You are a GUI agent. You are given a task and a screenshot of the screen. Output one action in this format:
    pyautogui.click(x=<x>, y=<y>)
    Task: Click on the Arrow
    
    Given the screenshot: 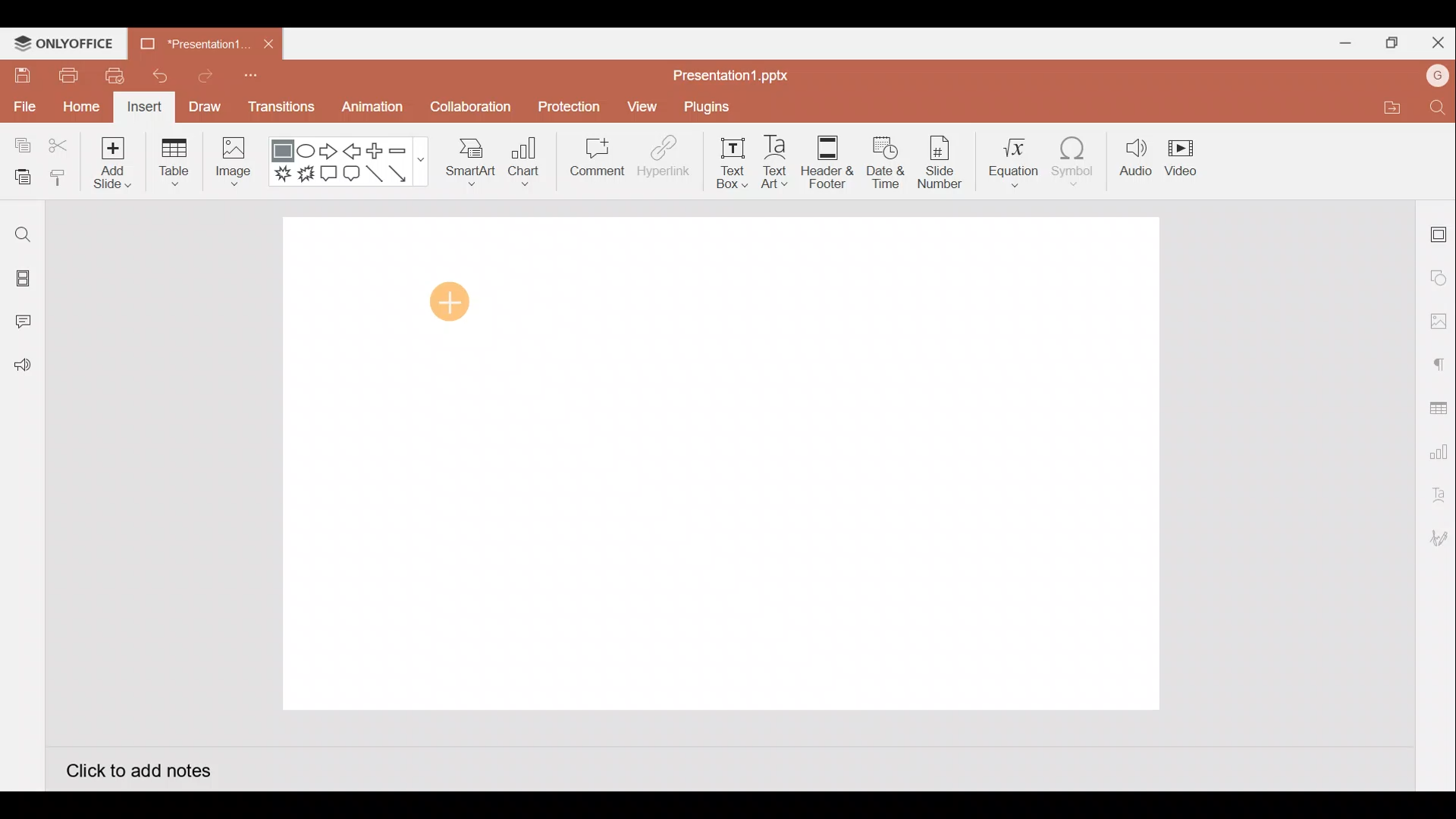 What is the action you would take?
    pyautogui.click(x=406, y=174)
    